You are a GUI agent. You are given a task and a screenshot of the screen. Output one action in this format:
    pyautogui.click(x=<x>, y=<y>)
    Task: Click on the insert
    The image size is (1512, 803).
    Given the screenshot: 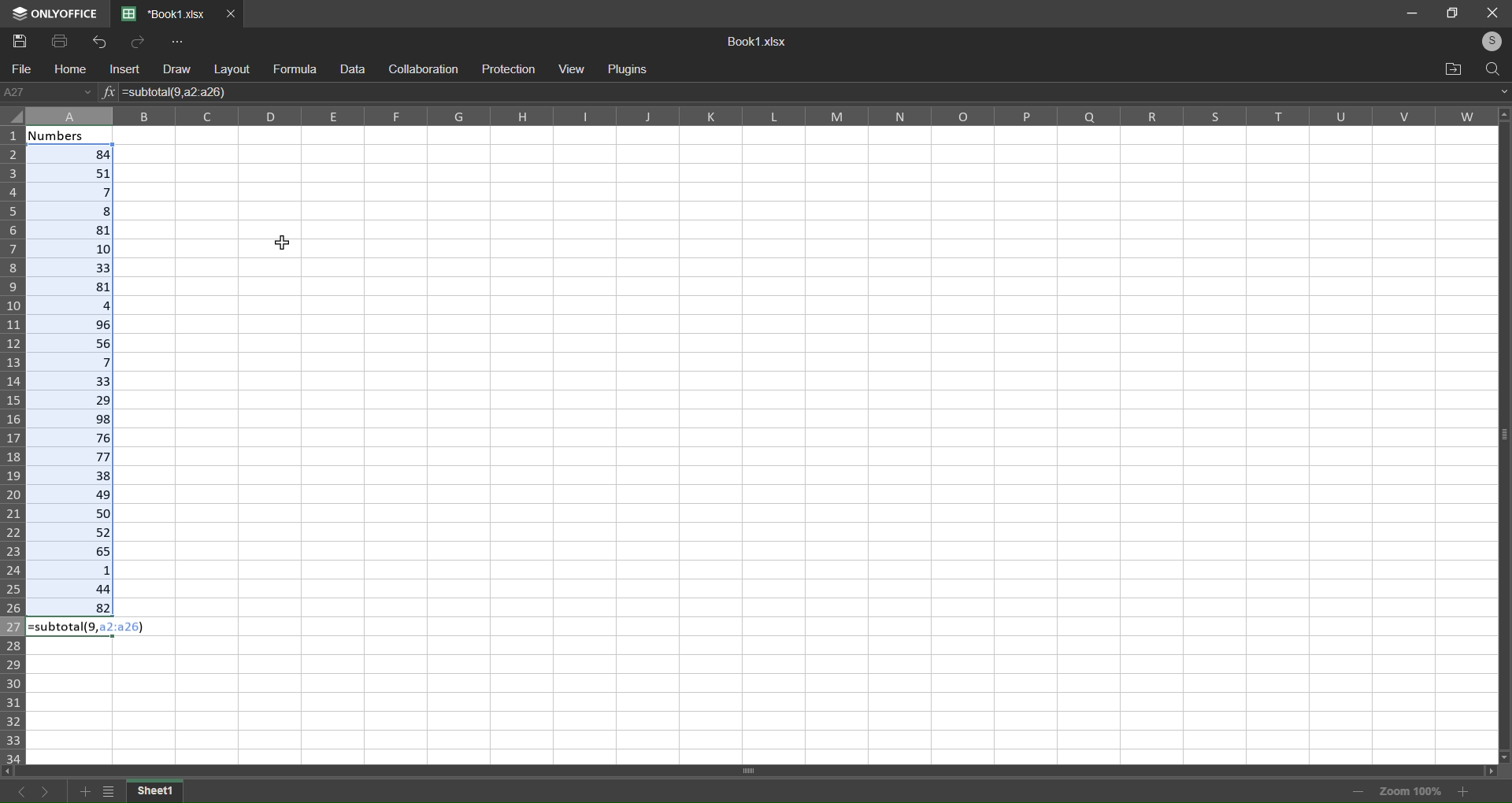 What is the action you would take?
    pyautogui.click(x=122, y=70)
    